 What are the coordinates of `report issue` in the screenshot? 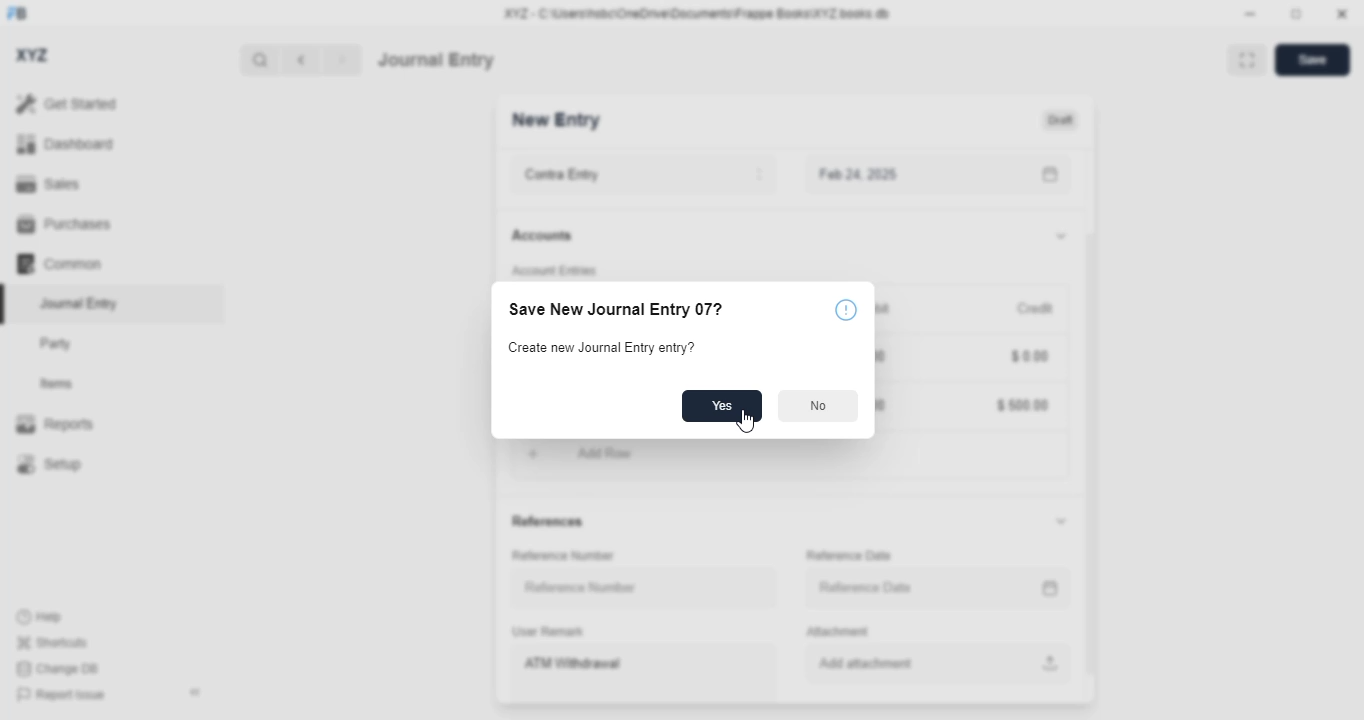 It's located at (61, 694).